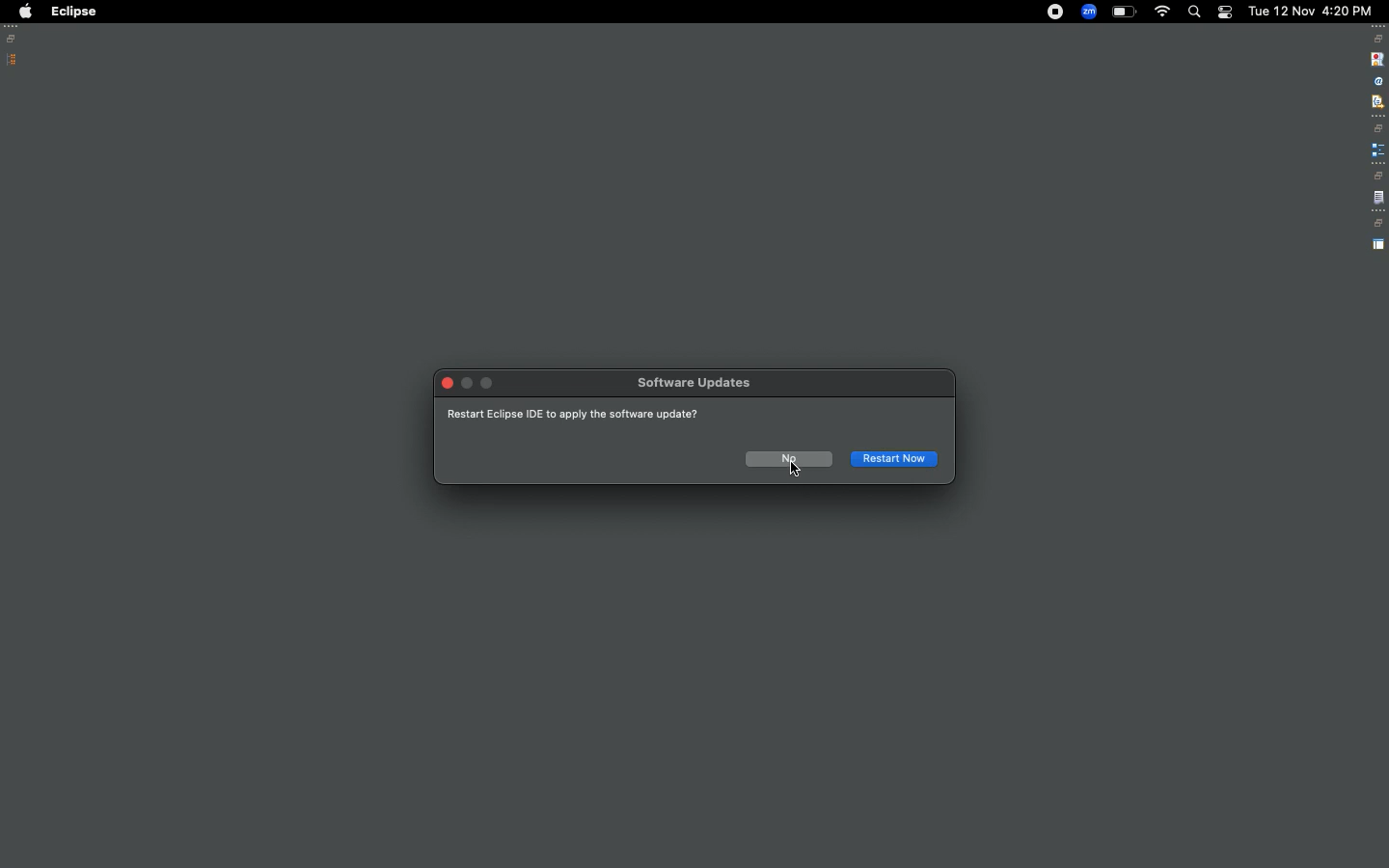 The image size is (1389, 868). I want to click on Charge, so click(1124, 13).